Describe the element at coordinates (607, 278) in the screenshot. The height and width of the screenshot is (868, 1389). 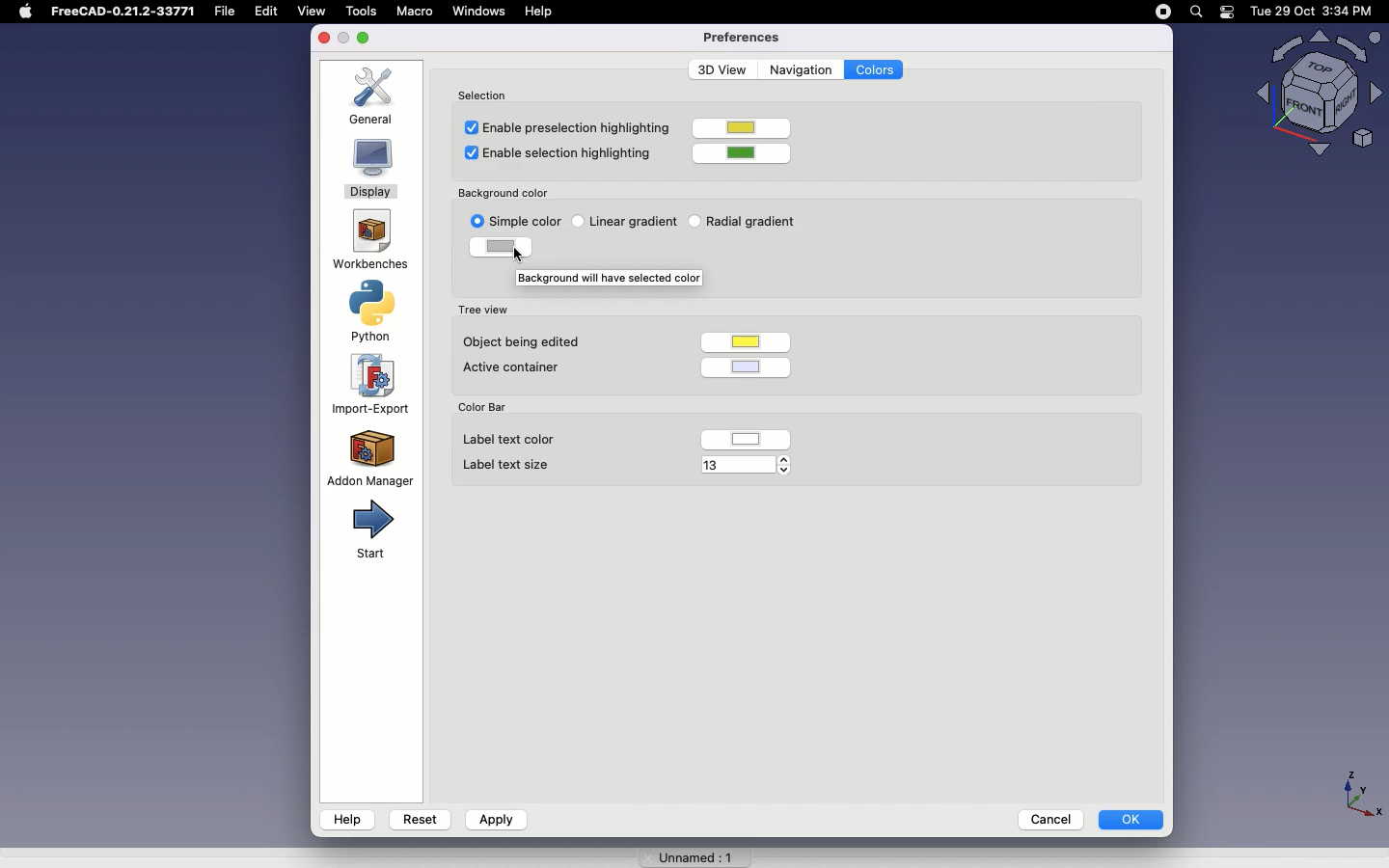
I see `Background will have selected color` at that location.